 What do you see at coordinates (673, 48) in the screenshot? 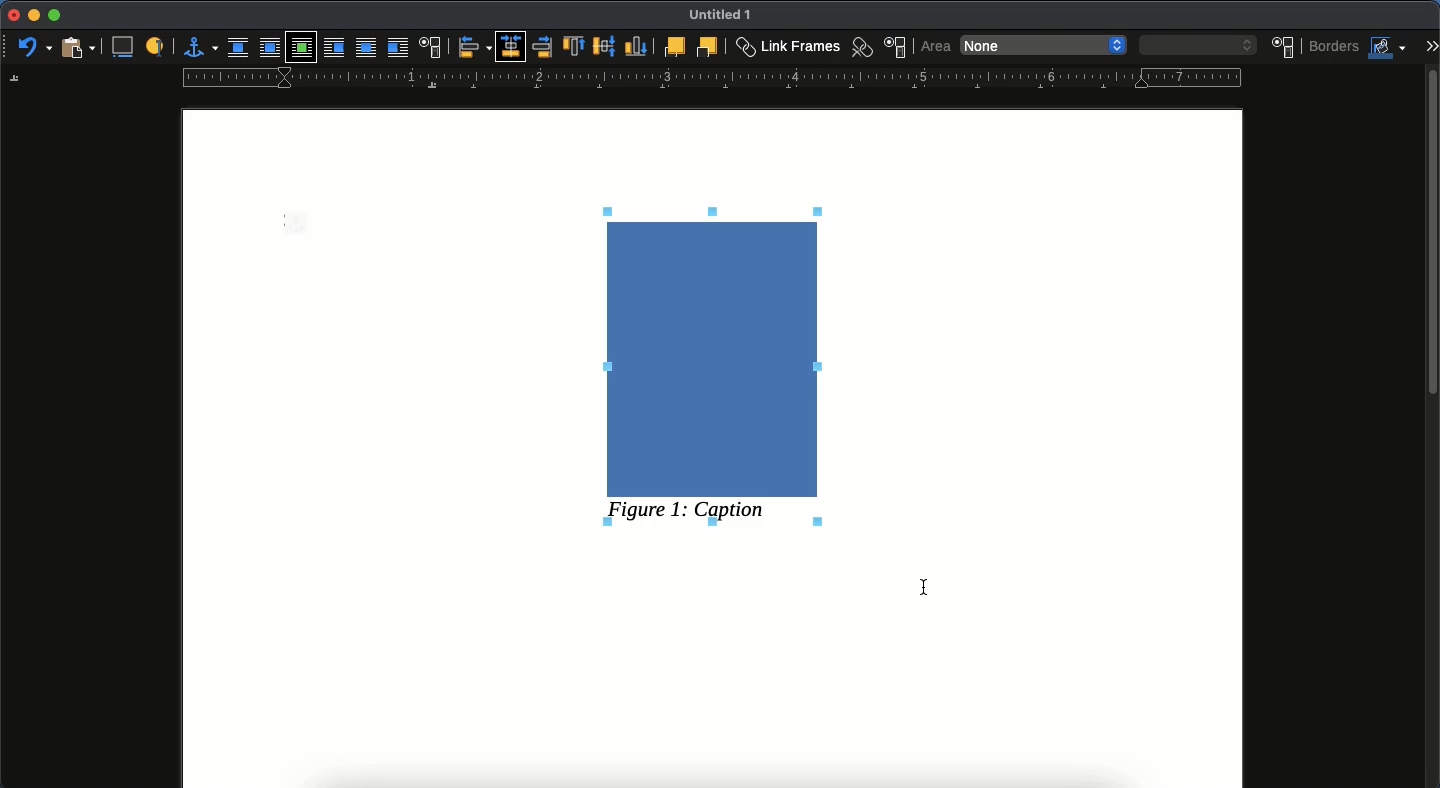
I see `forward one` at bounding box center [673, 48].